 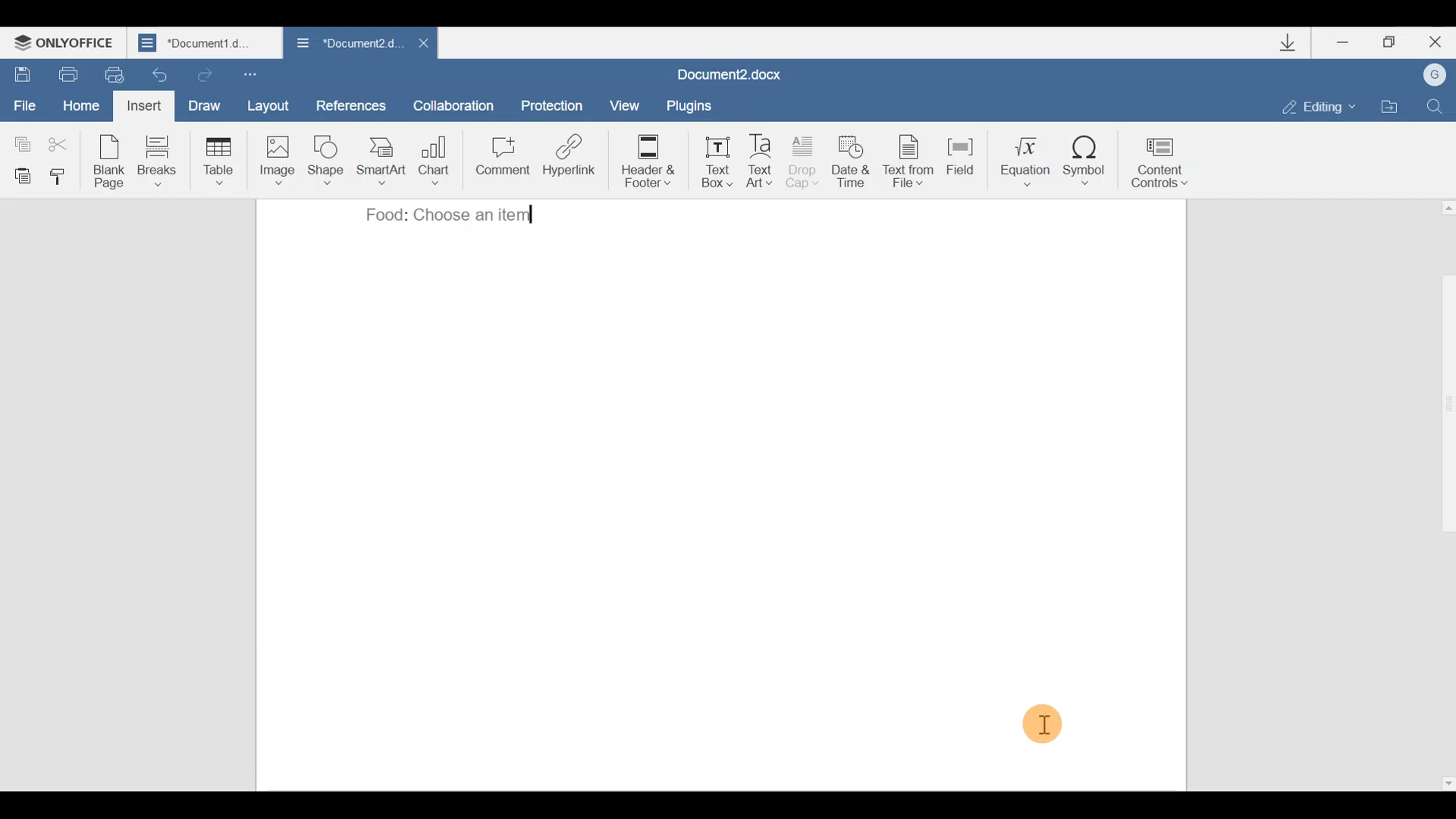 I want to click on Image, so click(x=277, y=160).